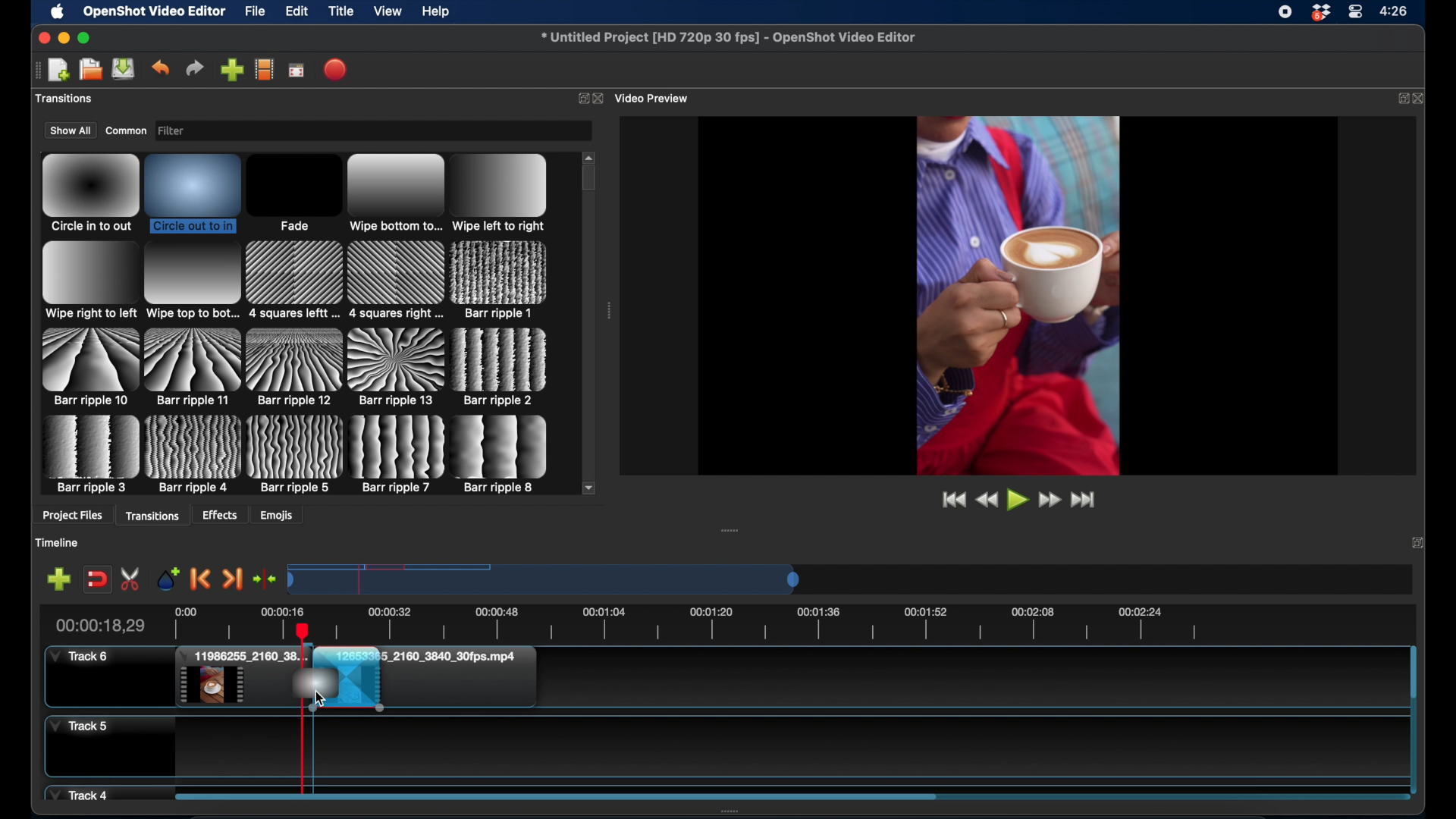  What do you see at coordinates (168, 578) in the screenshot?
I see `add marker` at bounding box center [168, 578].